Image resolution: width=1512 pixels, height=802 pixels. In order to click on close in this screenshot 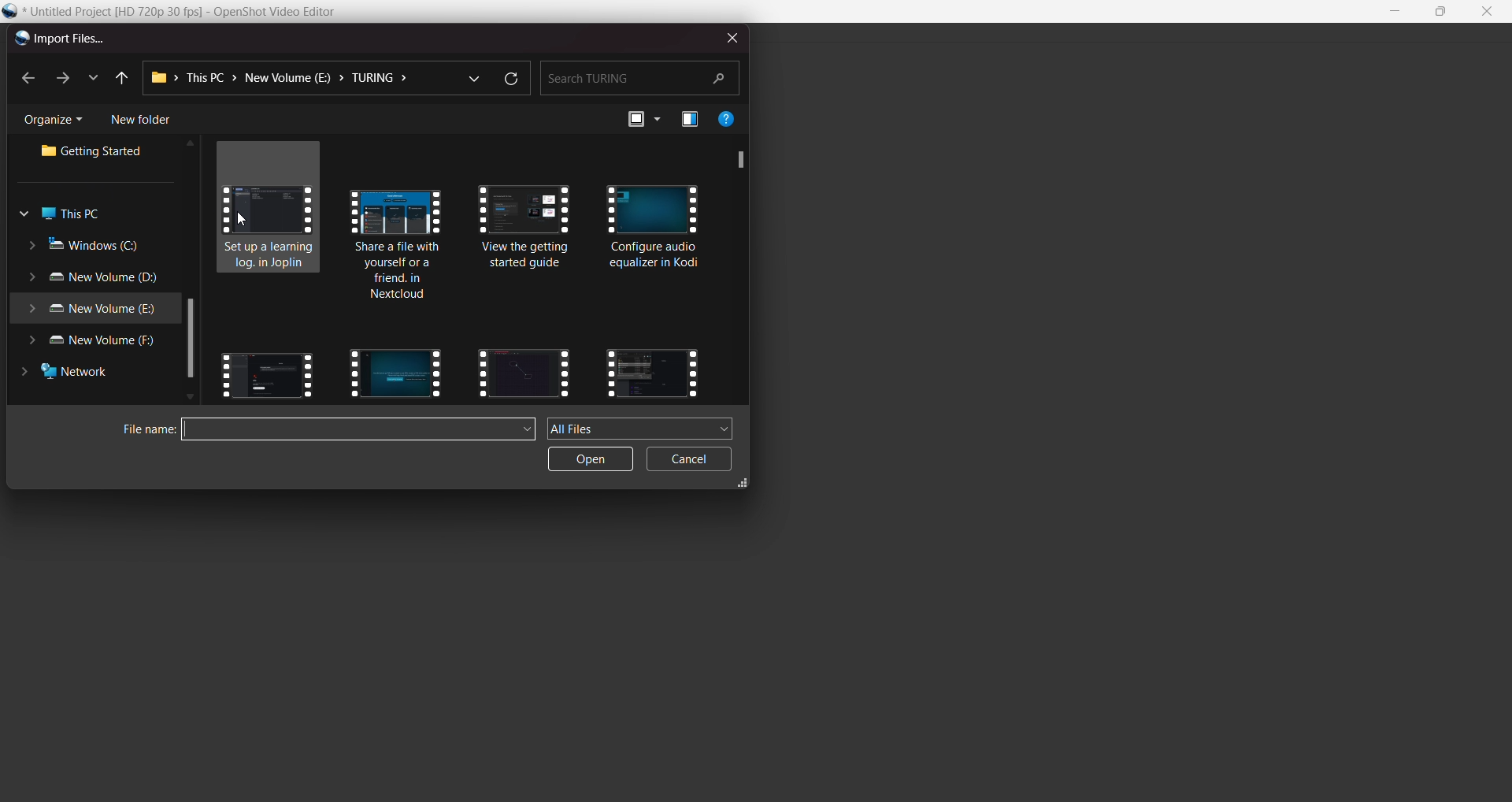, I will do `click(1486, 12)`.